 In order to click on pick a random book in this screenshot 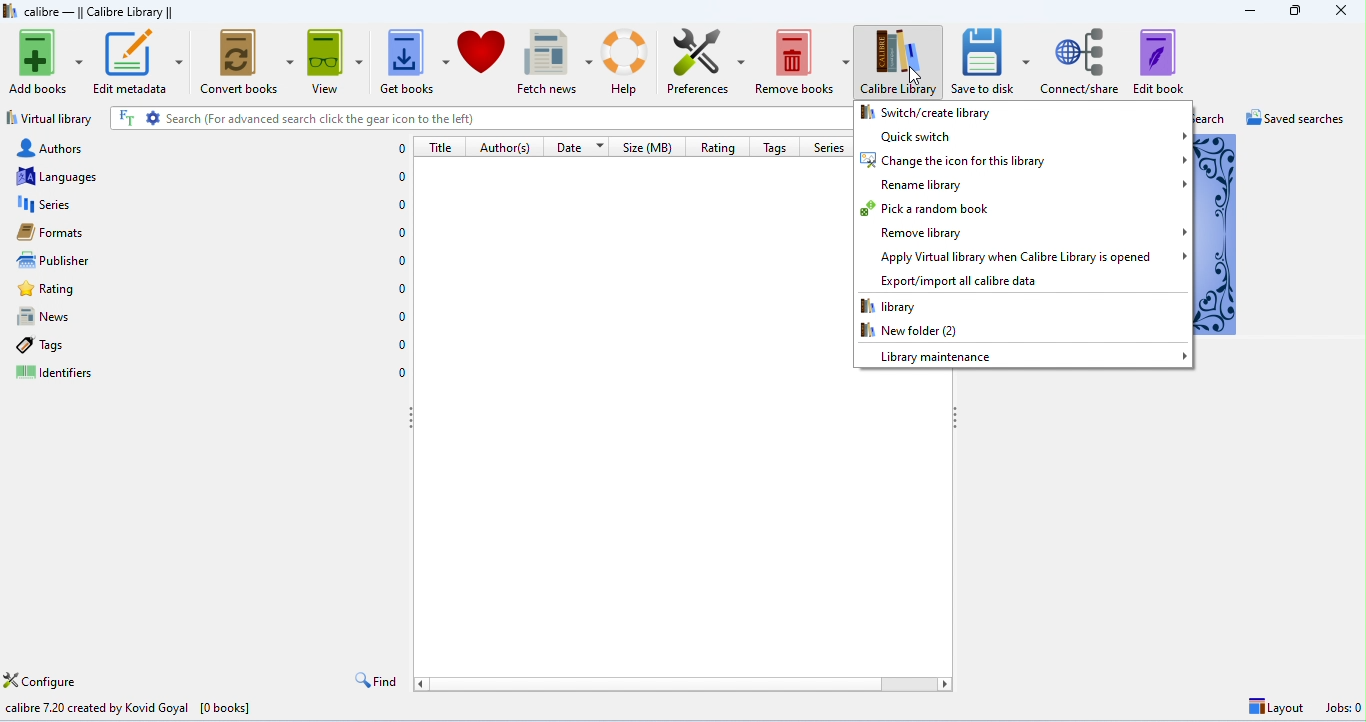, I will do `click(1022, 207)`.